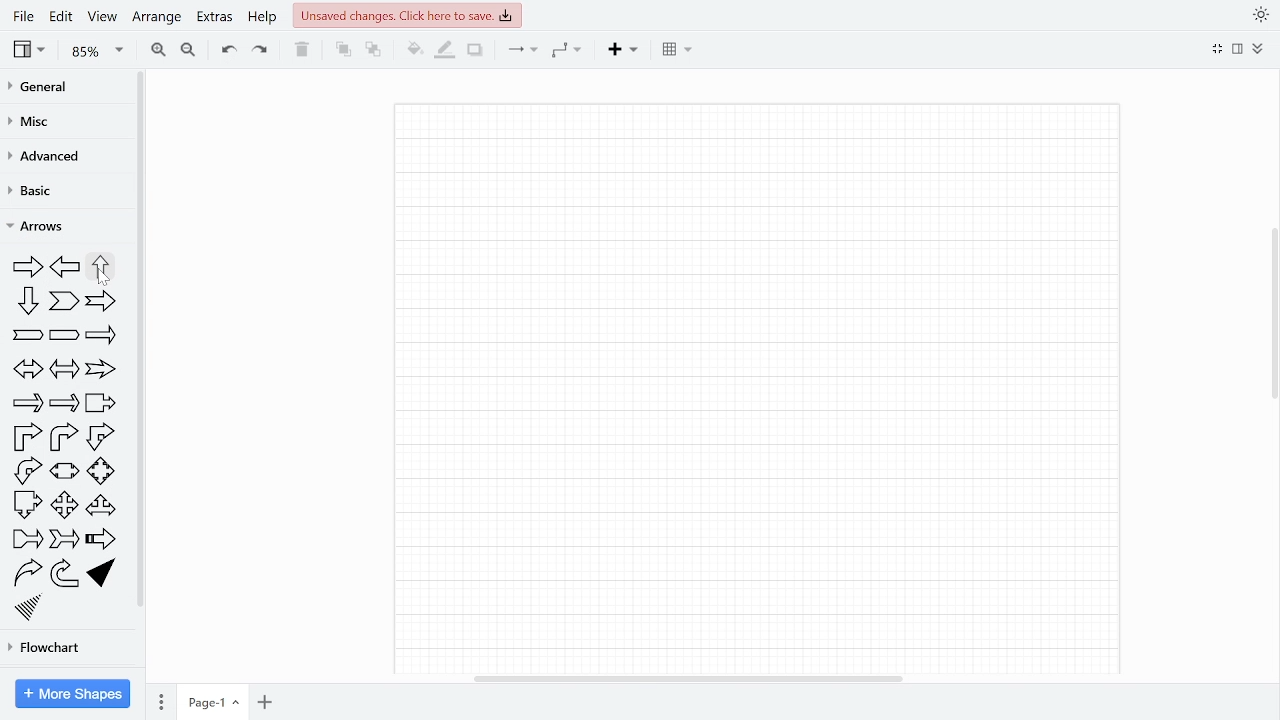 This screenshot has height=720, width=1280. Describe the element at coordinates (102, 19) in the screenshot. I see `View` at that location.